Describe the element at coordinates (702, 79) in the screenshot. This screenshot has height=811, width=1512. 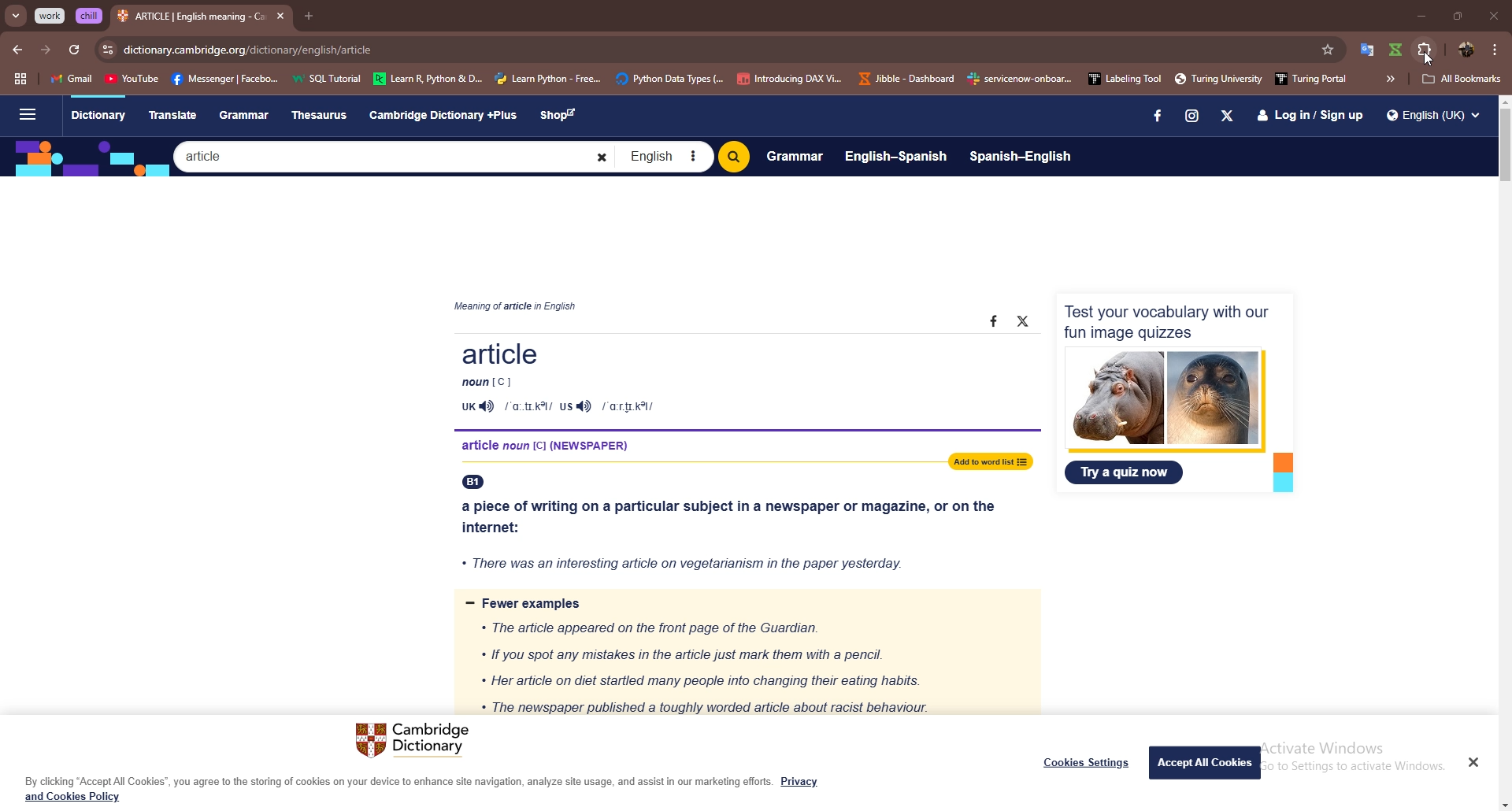
I see `bookmarks bar` at that location.